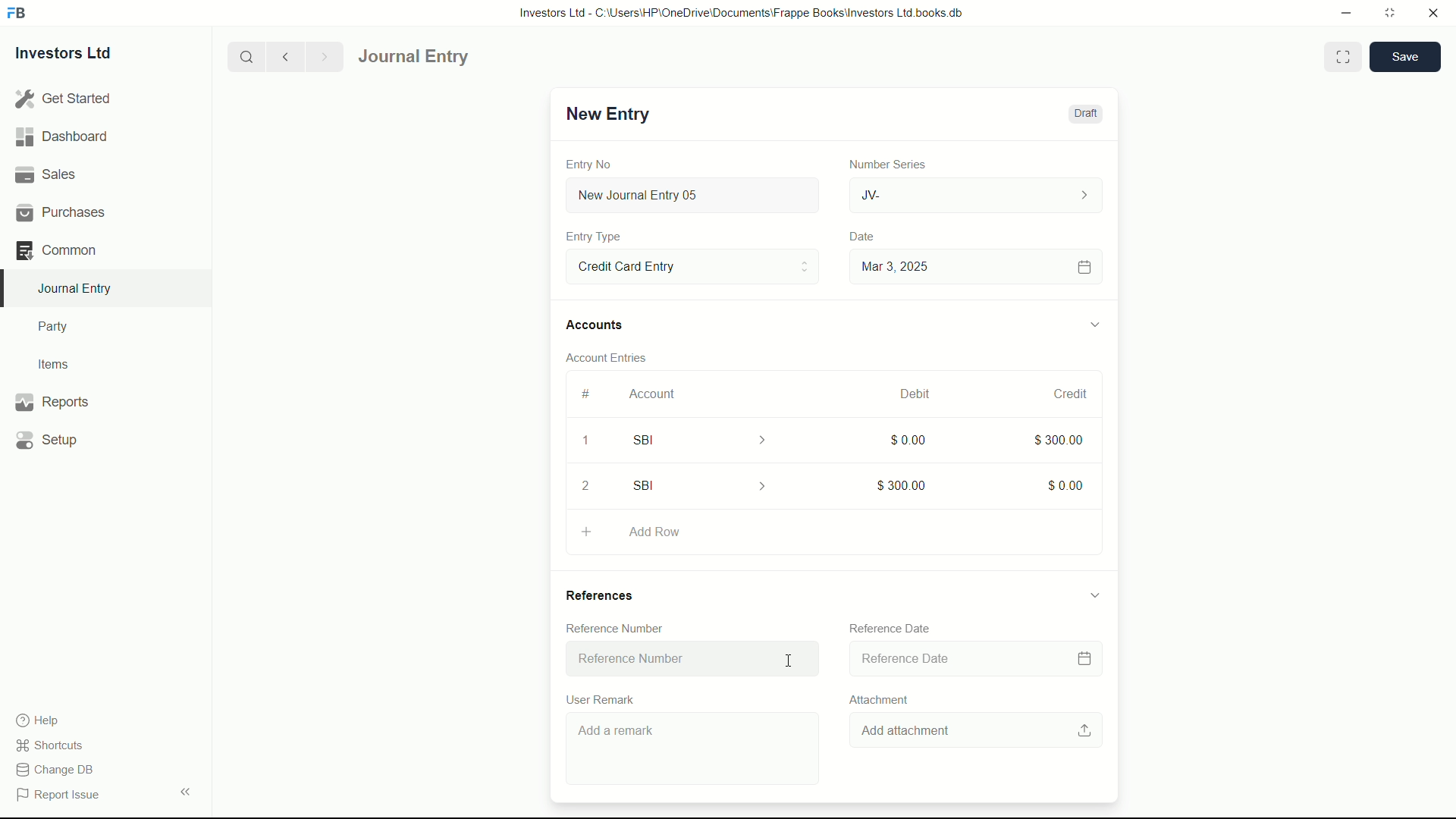  What do you see at coordinates (17, 14) in the screenshot?
I see `FrappeBooks logo` at bounding box center [17, 14].